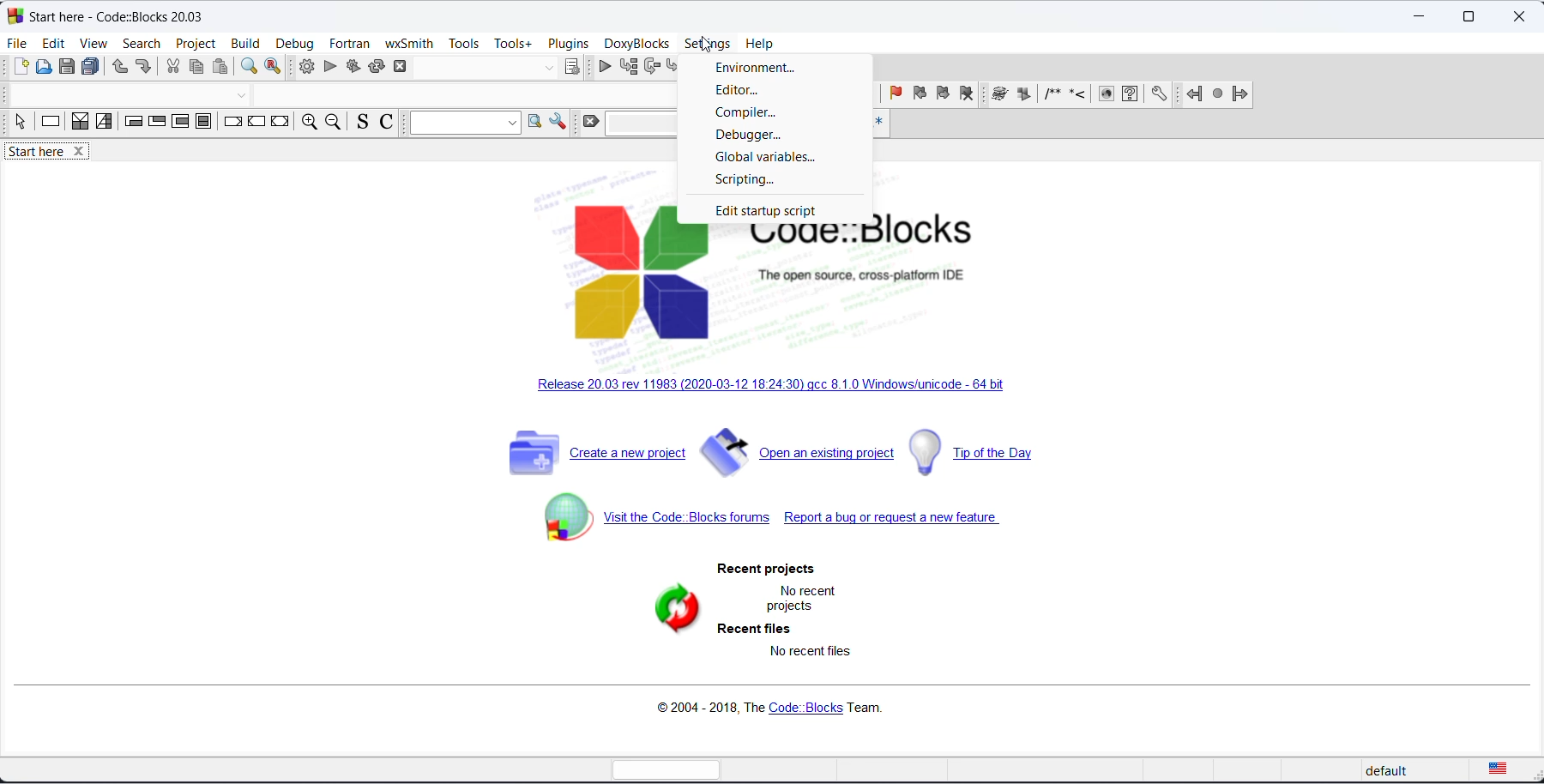 The height and width of the screenshot is (784, 1544). What do you see at coordinates (14, 15) in the screenshot?
I see `logo` at bounding box center [14, 15].